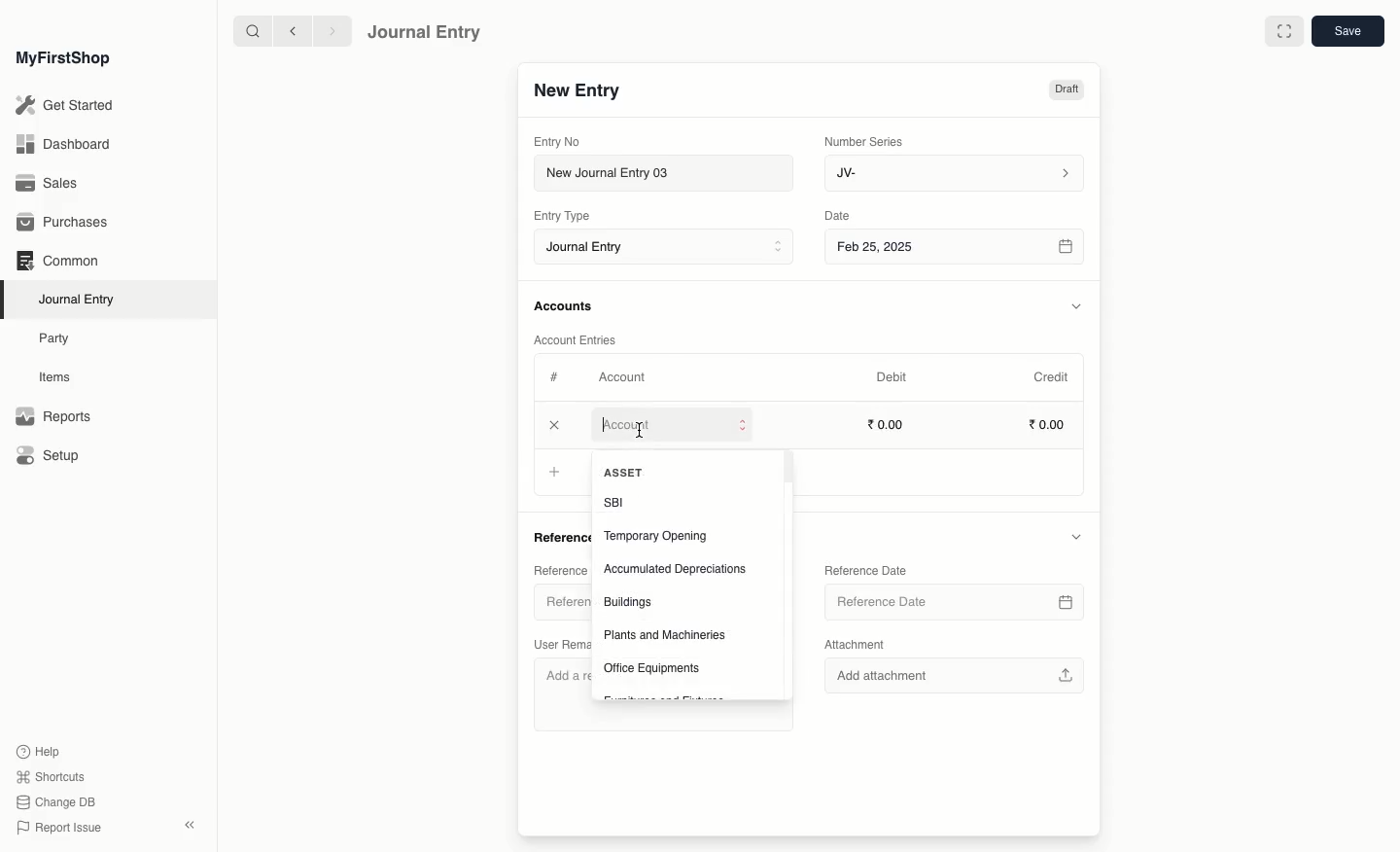 The width and height of the screenshot is (1400, 852). Describe the element at coordinates (248, 31) in the screenshot. I see `search` at that location.